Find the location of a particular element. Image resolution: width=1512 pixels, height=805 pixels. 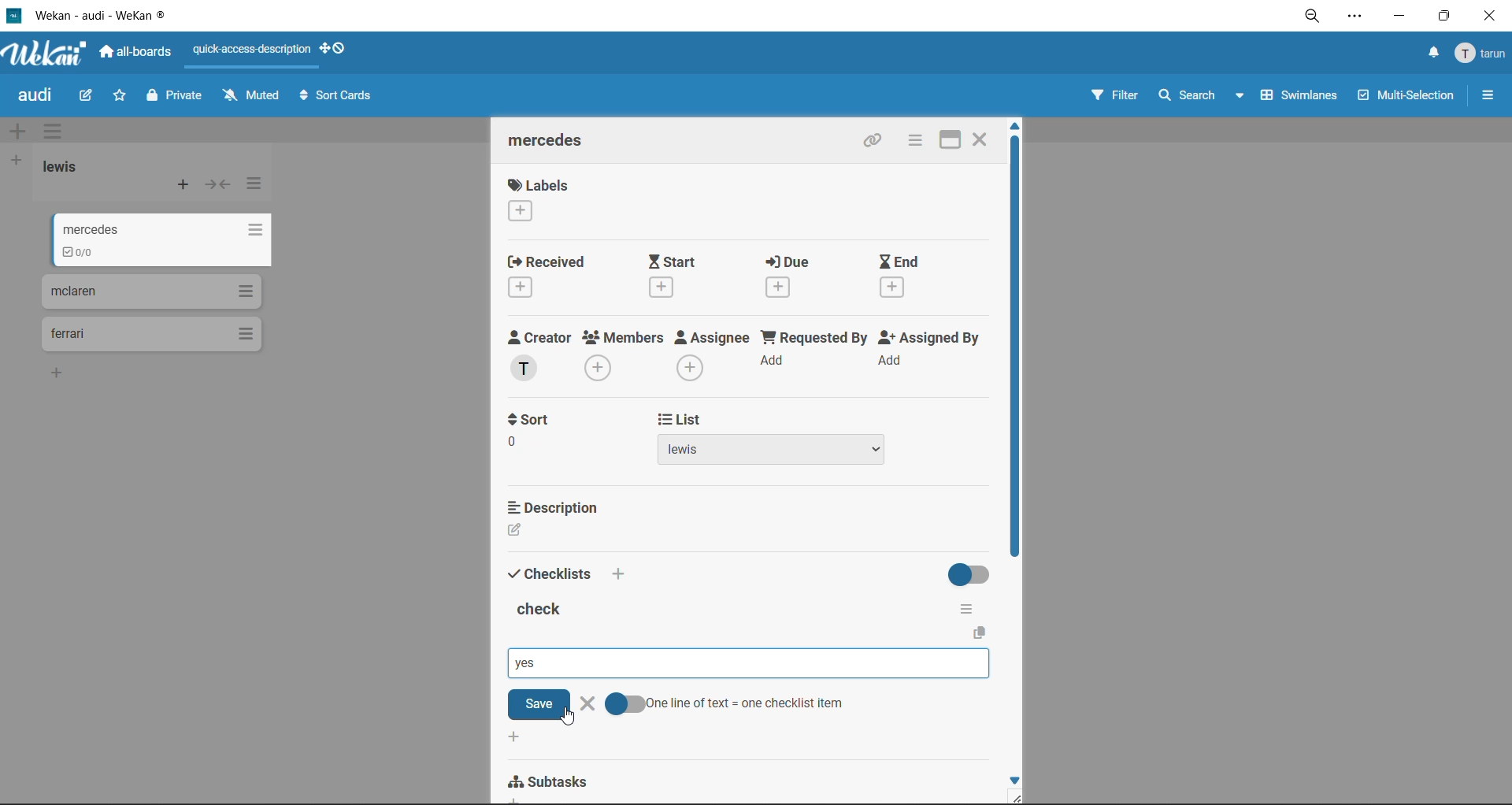

swimlanes is located at coordinates (1302, 98).